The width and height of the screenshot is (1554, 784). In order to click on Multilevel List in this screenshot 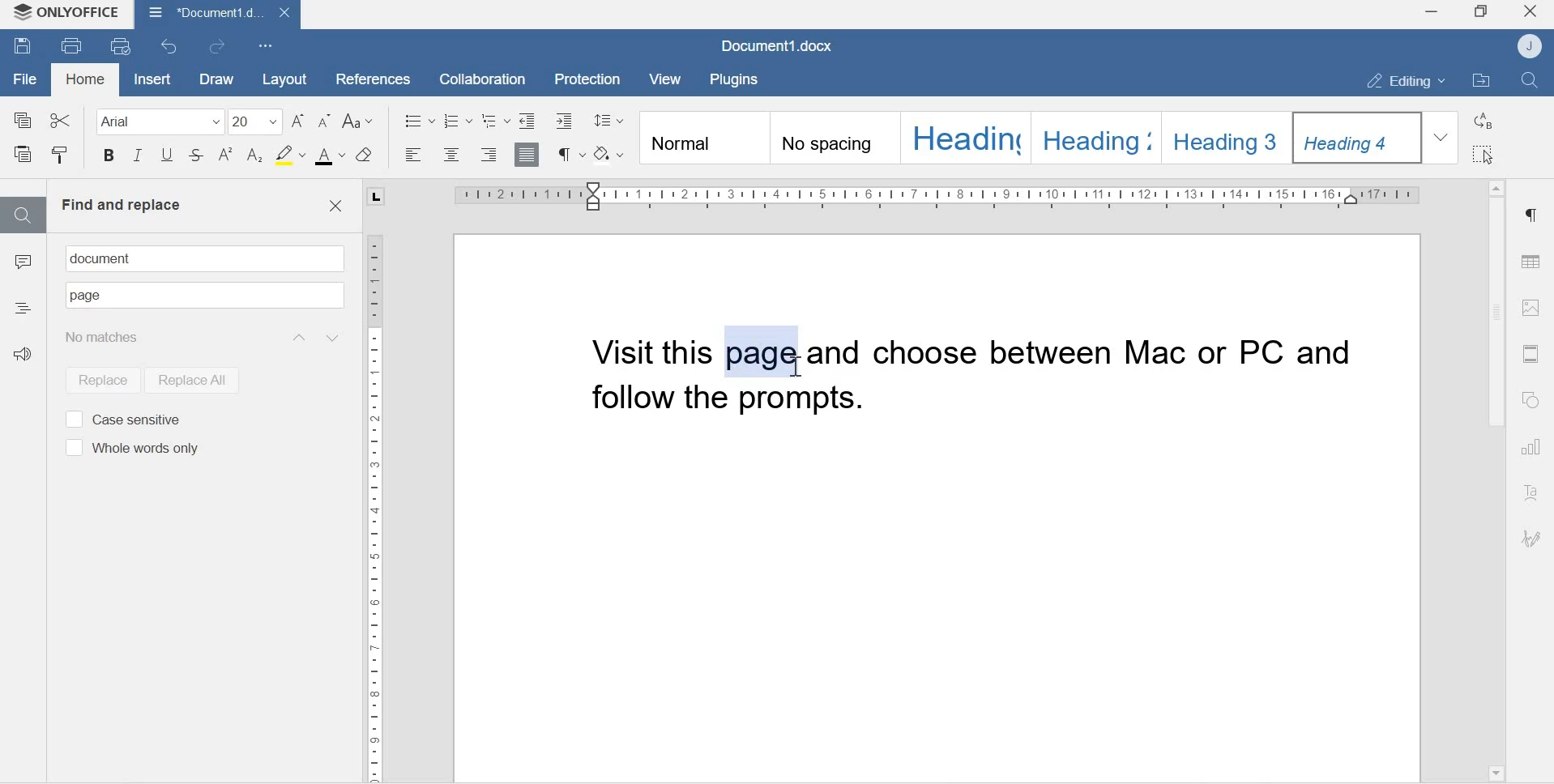, I will do `click(495, 120)`.